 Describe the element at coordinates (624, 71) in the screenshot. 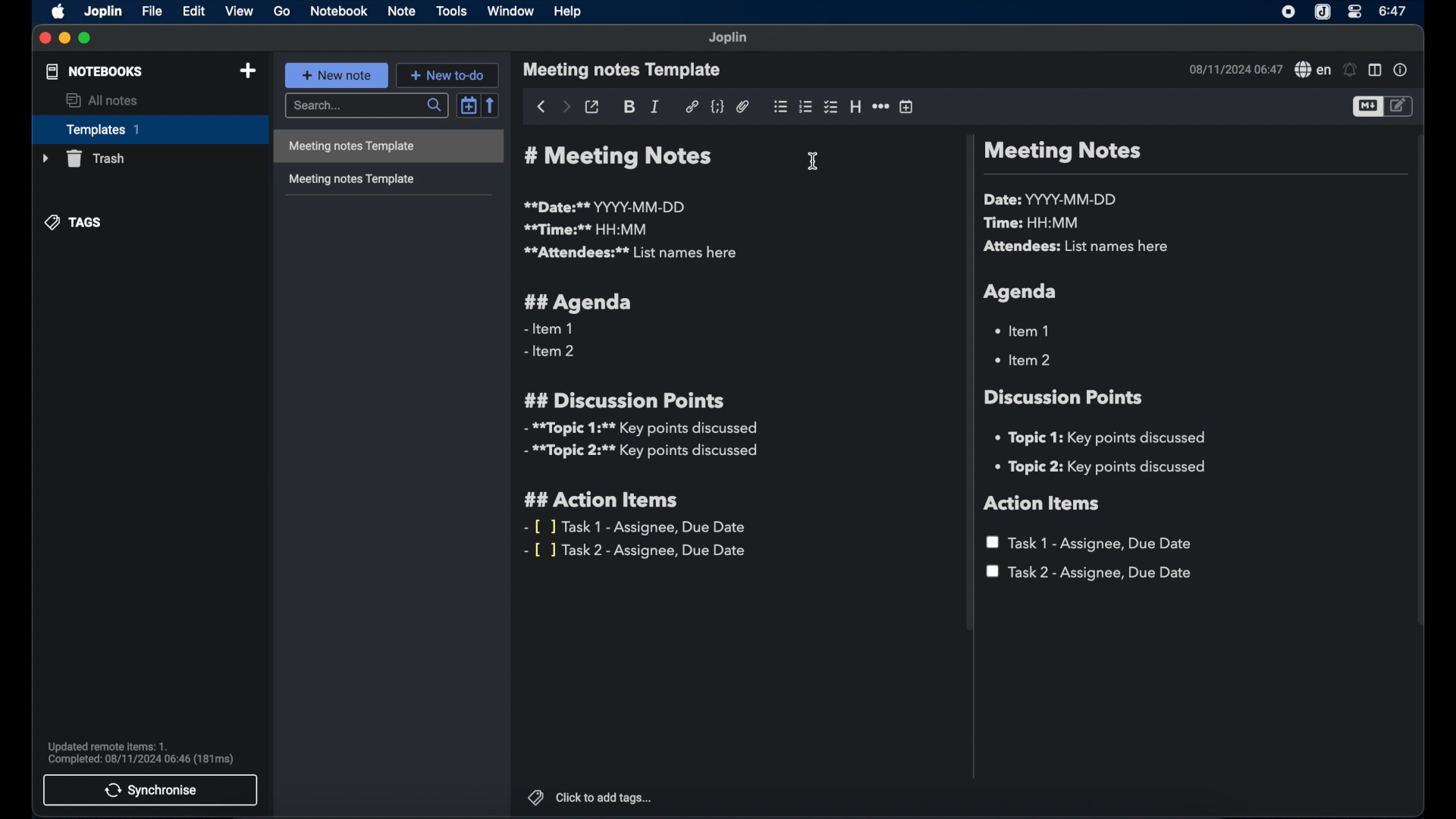

I see `meeting notes template` at that location.